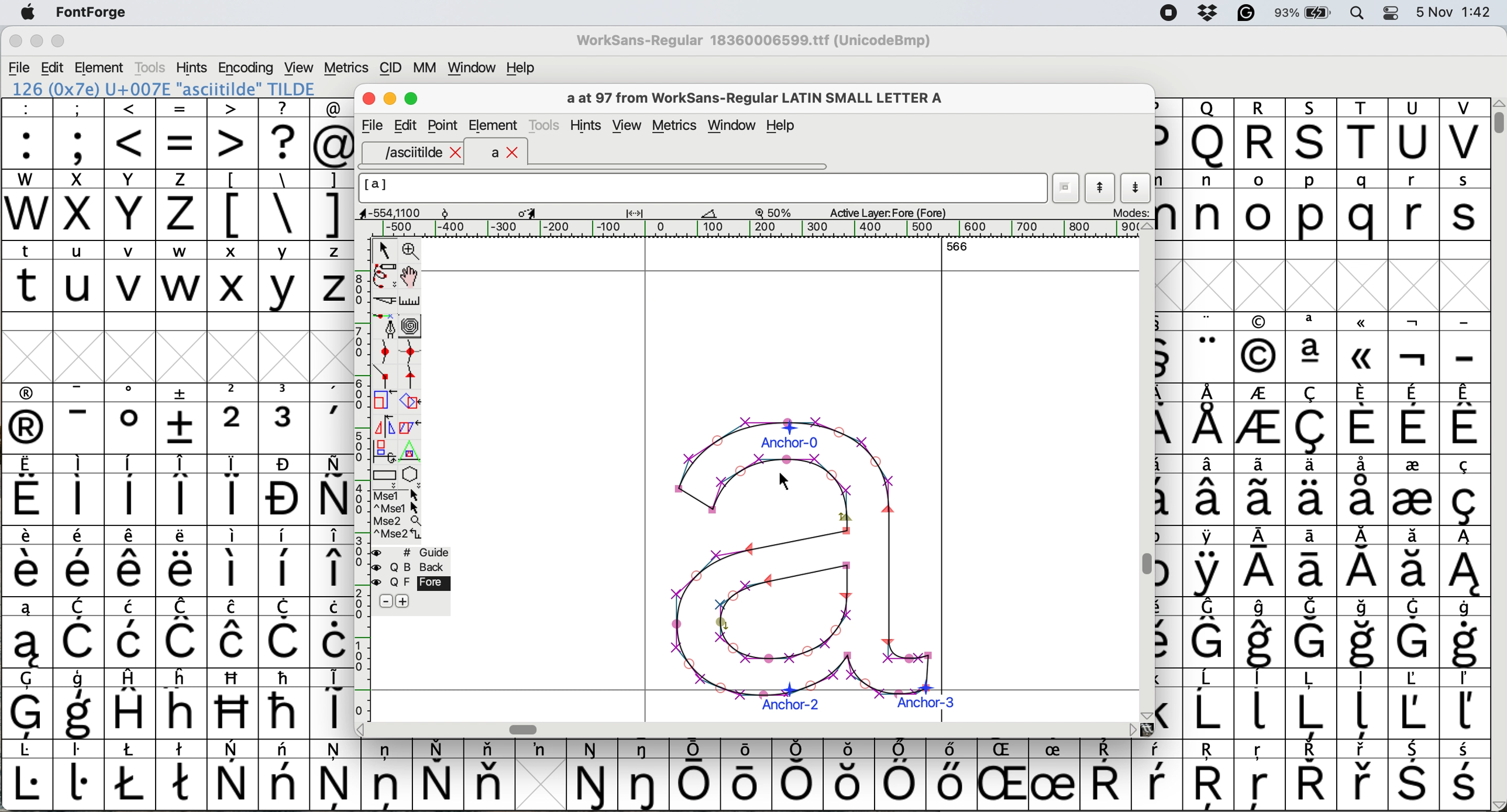 This screenshot has height=812, width=1507. What do you see at coordinates (414, 352) in the screenshot?
I see `add a curve point vertically or horizontally` at bounding box center [414, 352].